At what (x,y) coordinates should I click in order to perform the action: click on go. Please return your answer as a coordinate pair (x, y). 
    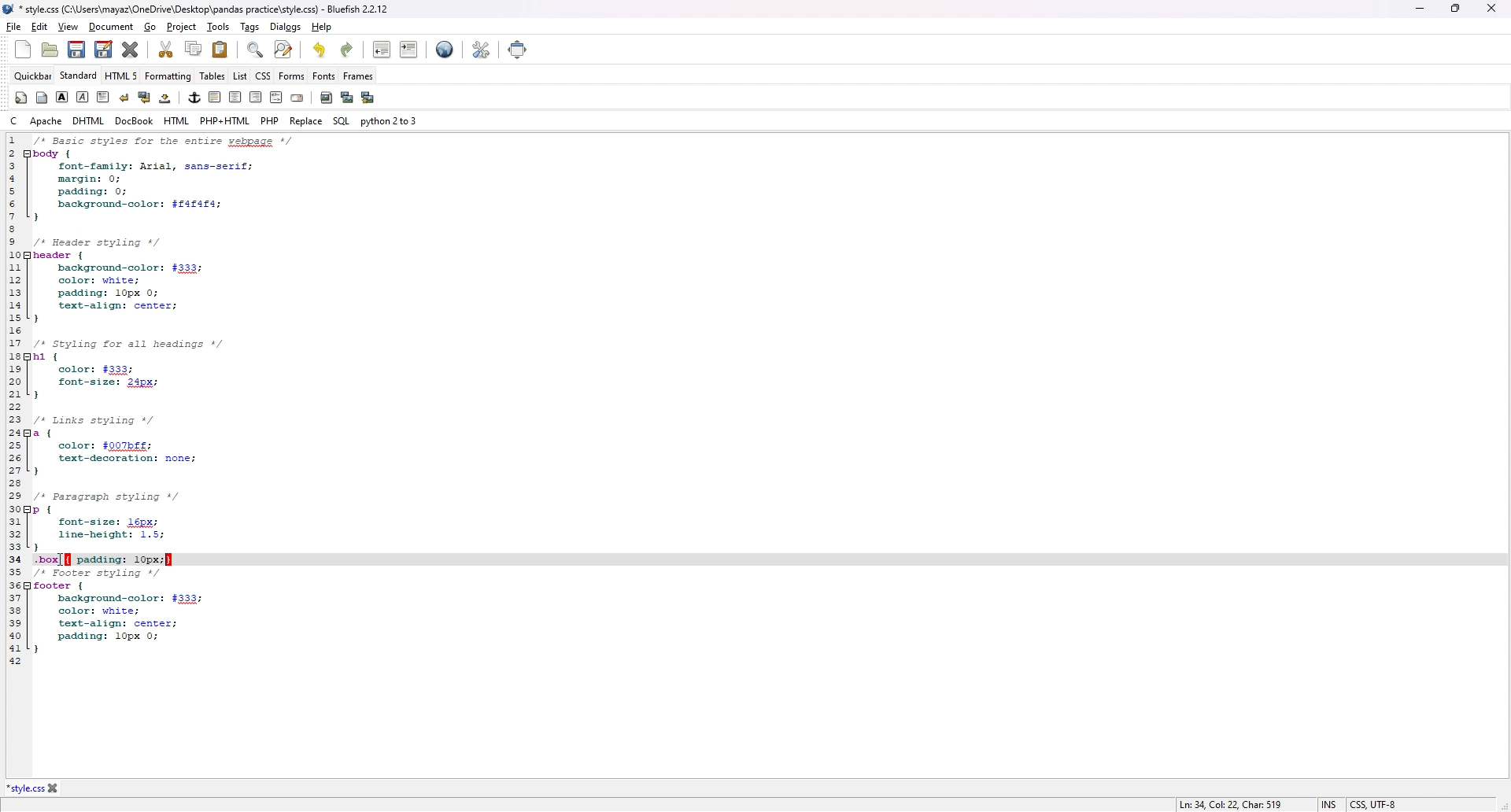
    Looking at the image, I should click on (150, 27).